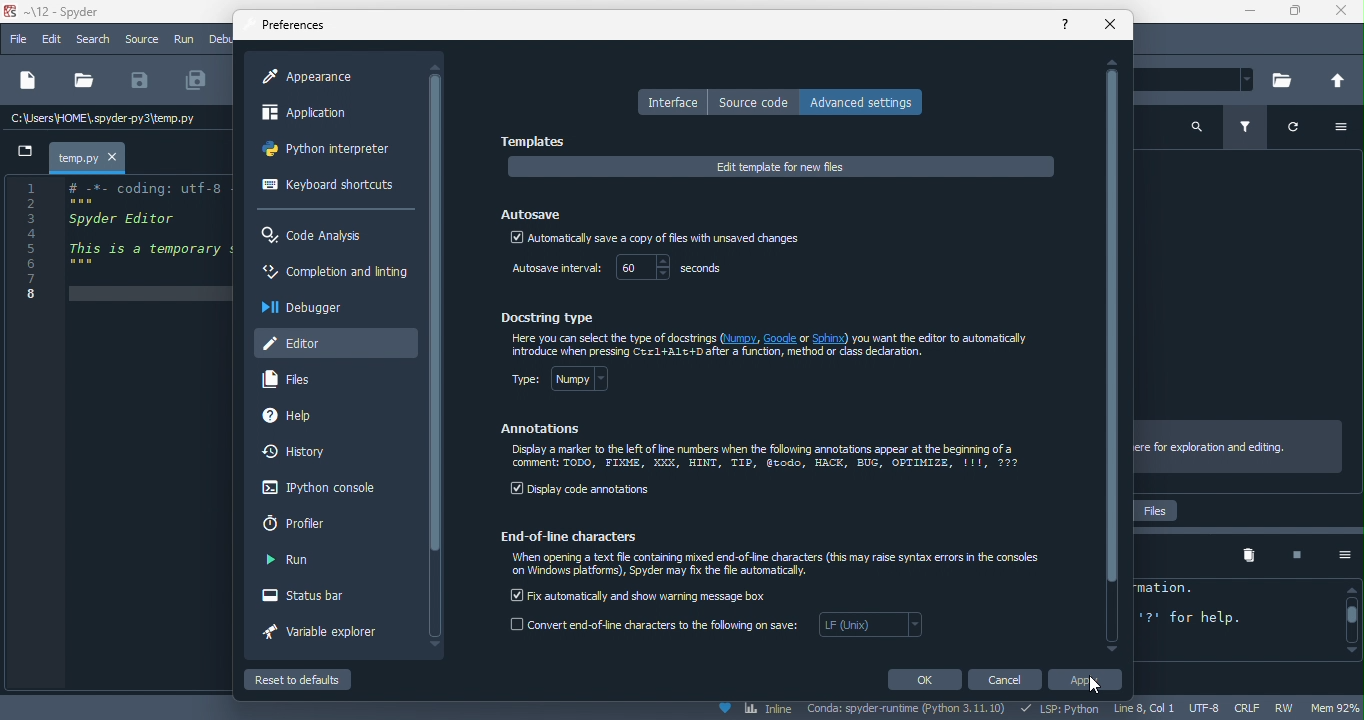 The image size is (1364, 720). Describe the element at coordinates (1347, 129) in the screenshot. I see `option` at that location.